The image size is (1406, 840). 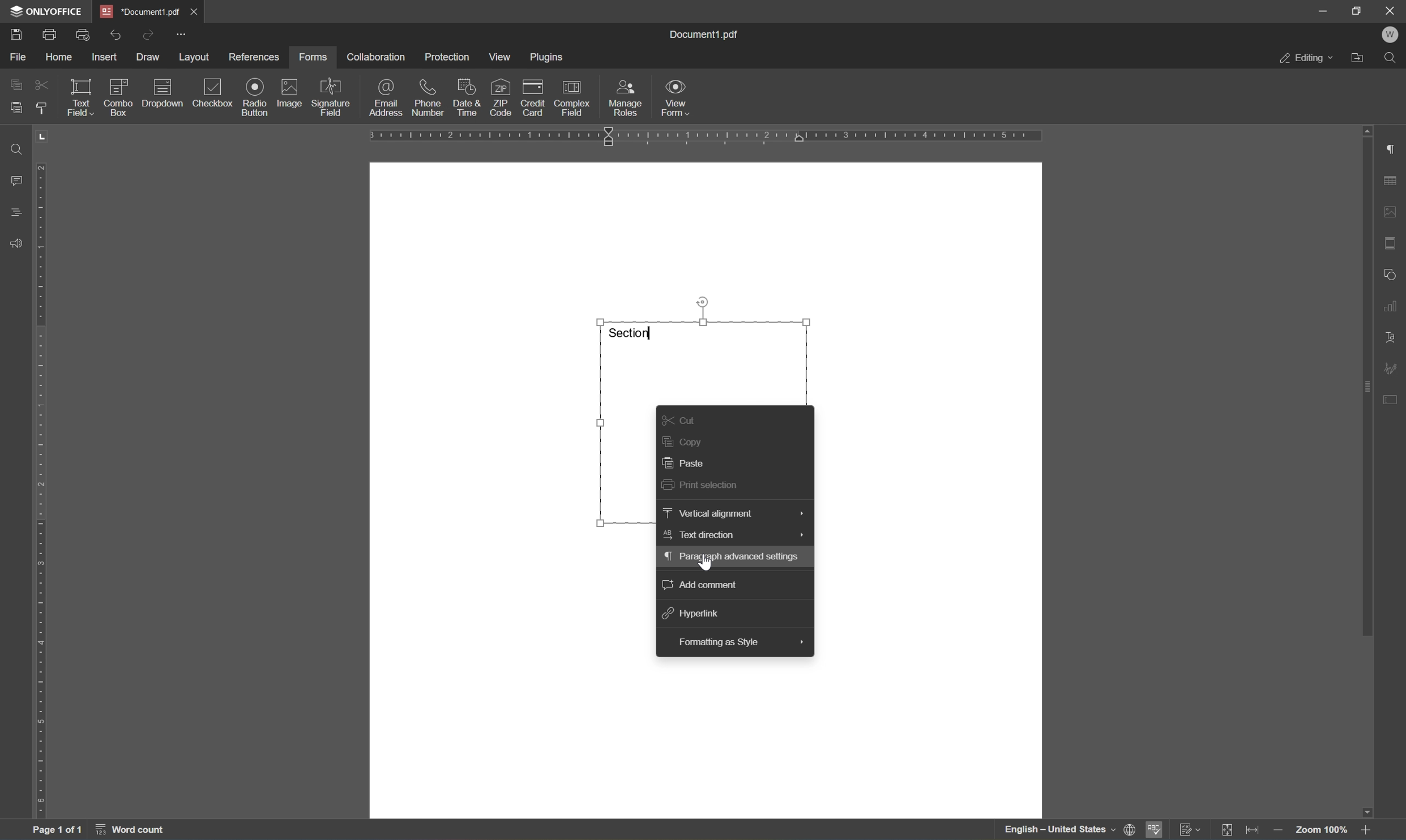 What do you see at coordinates (1192, 830) in the screenshot?
I see `track changes` at bounding box center [1192, 830].